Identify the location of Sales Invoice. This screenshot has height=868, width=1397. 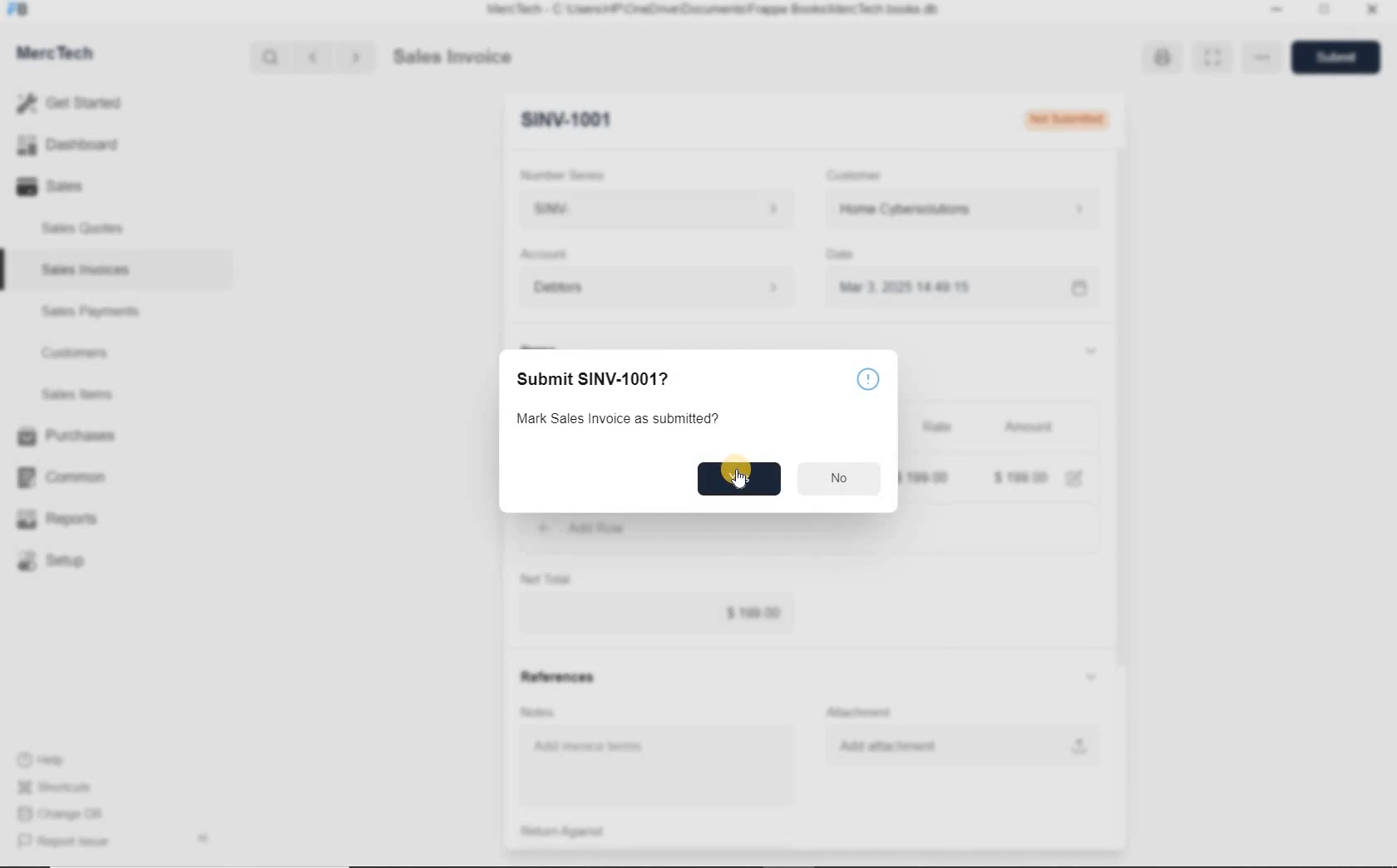
(454, 58).